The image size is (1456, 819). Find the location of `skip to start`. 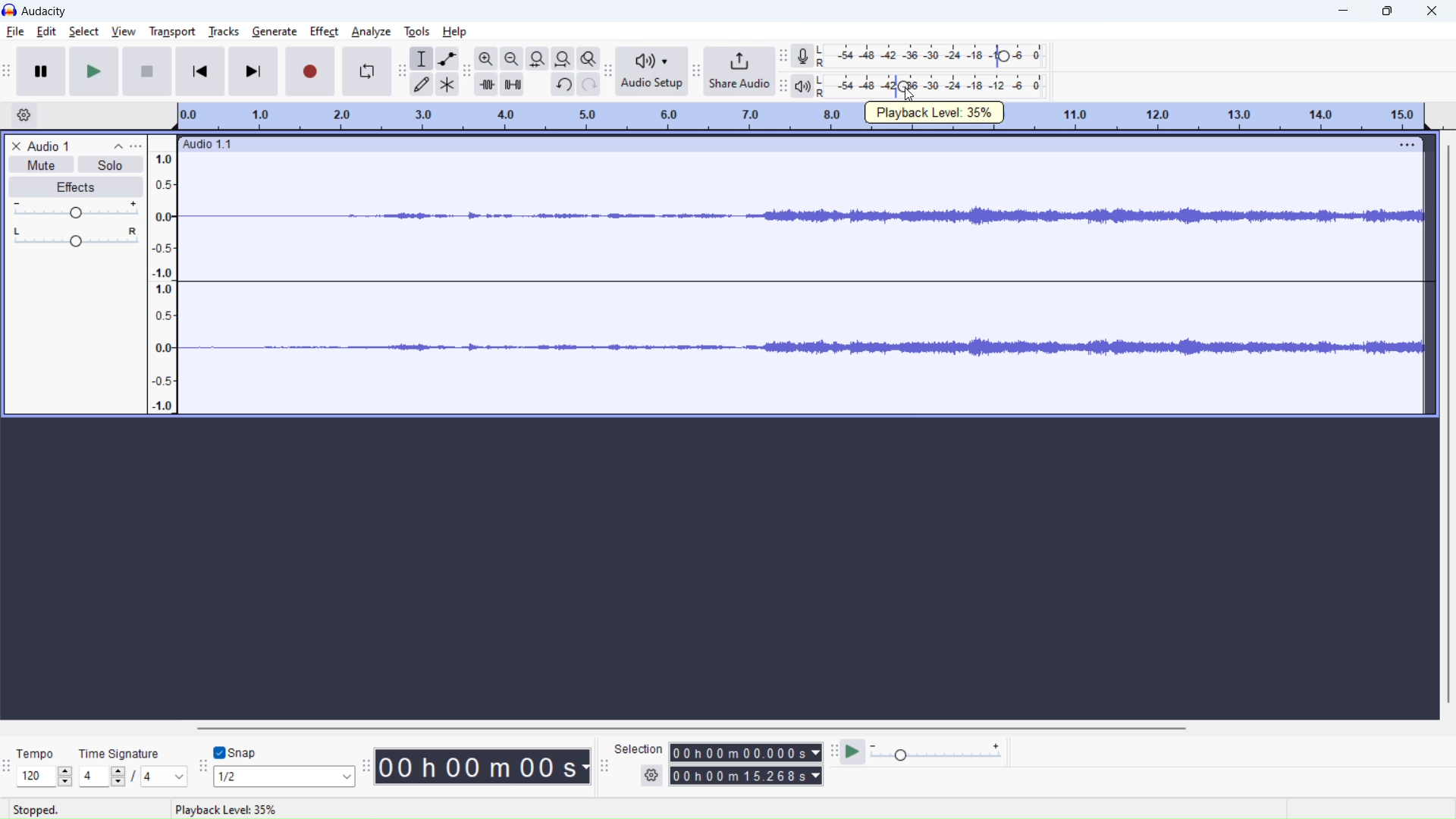

skip to start is located at coordinates (199, 71).